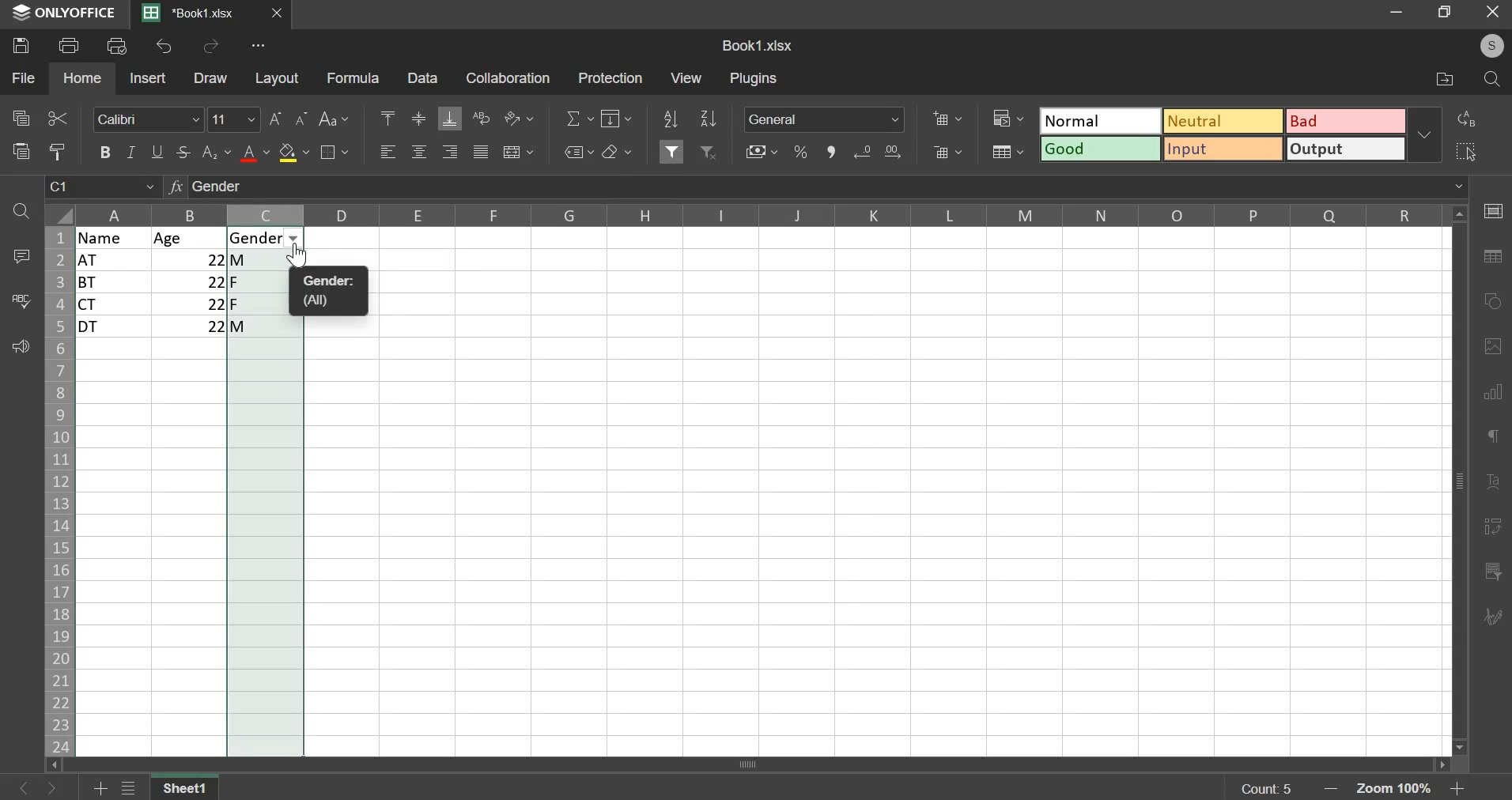  Describe the element at coordinates (115, 327) in the screenshot. I see `dt` at that location.